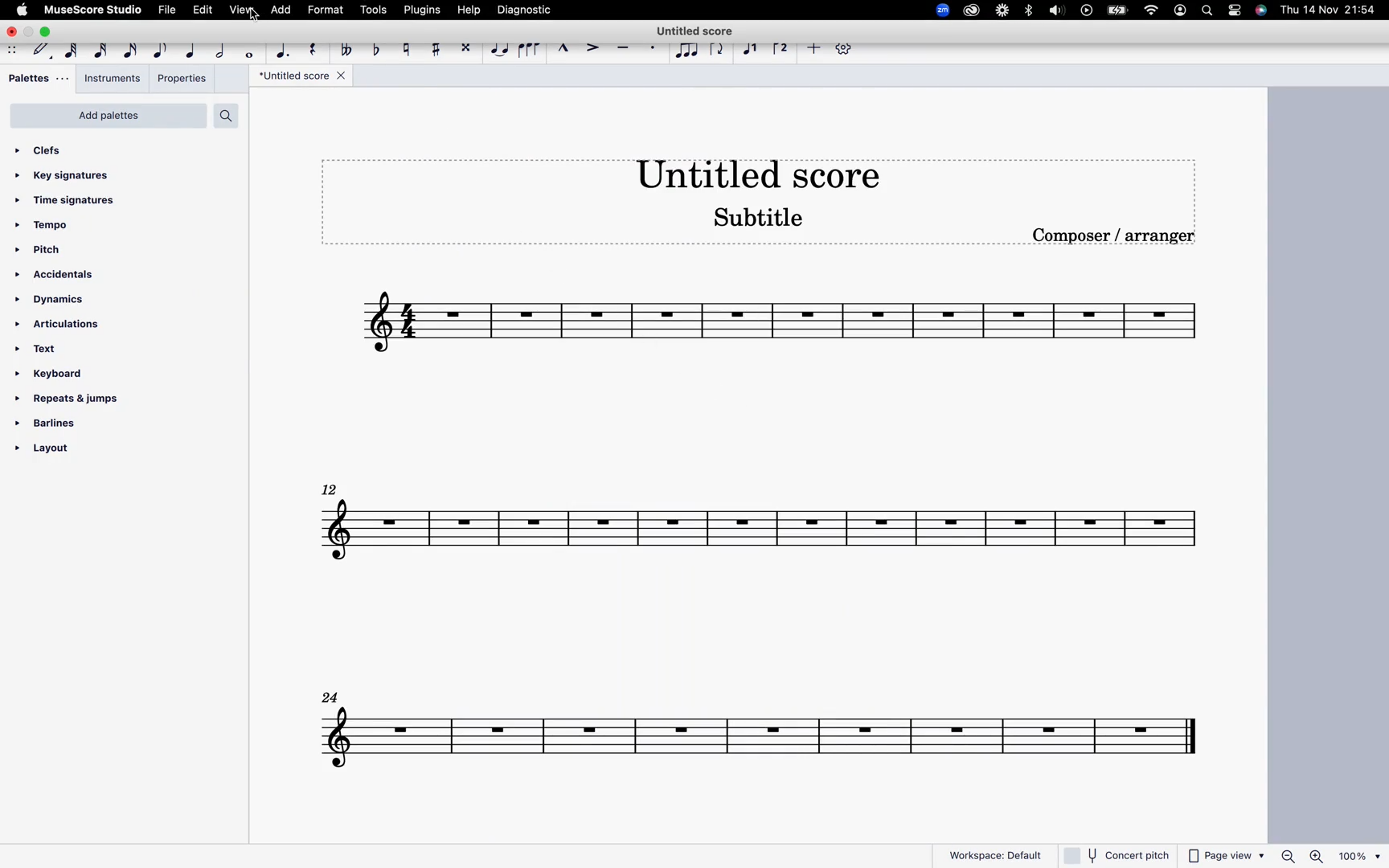 The height and width of the screenshot is (868, 1389). I want to click on close, so click(345, 77).